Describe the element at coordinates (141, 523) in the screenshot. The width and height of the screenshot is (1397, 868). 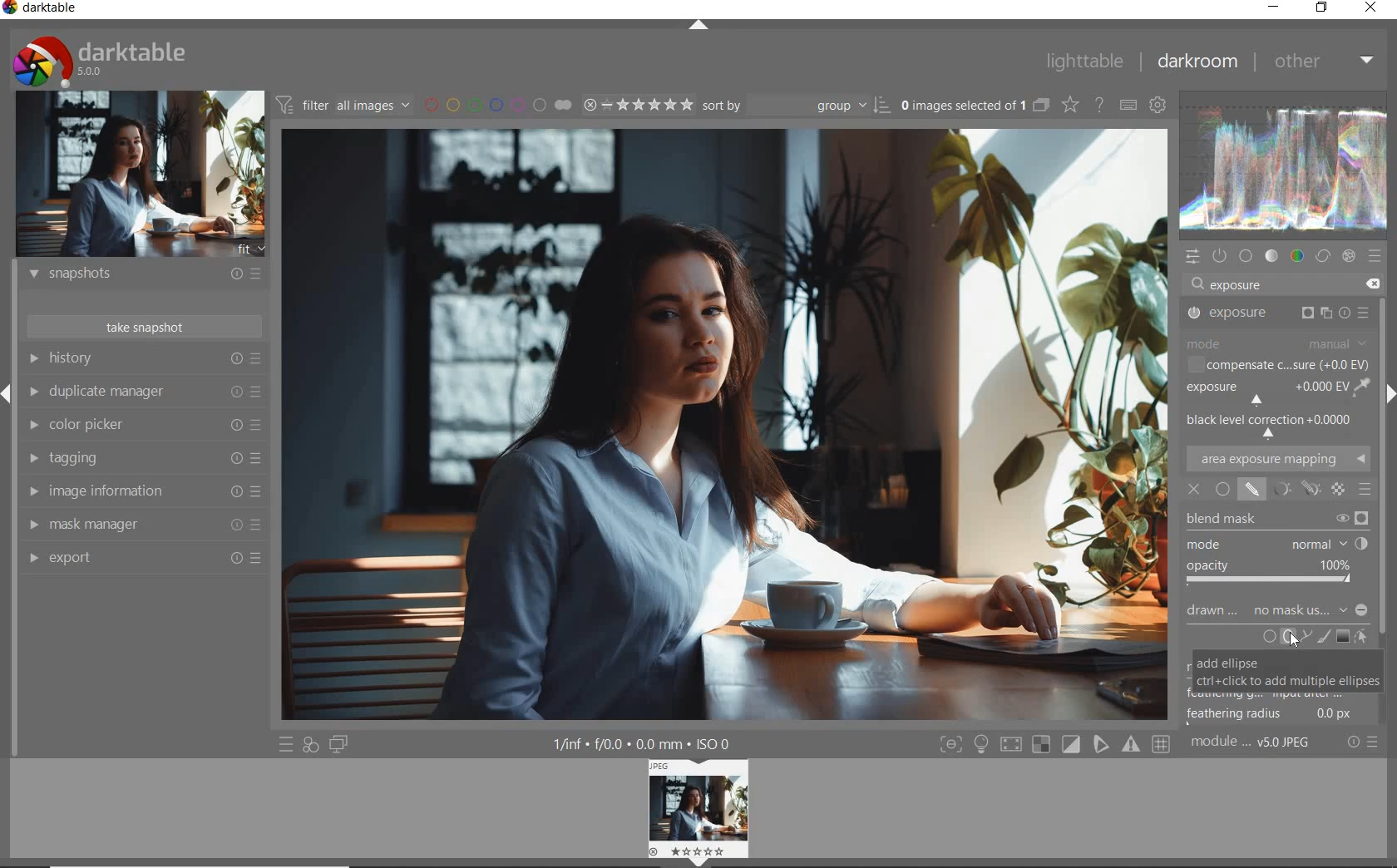
I see `mask manager` at that location.